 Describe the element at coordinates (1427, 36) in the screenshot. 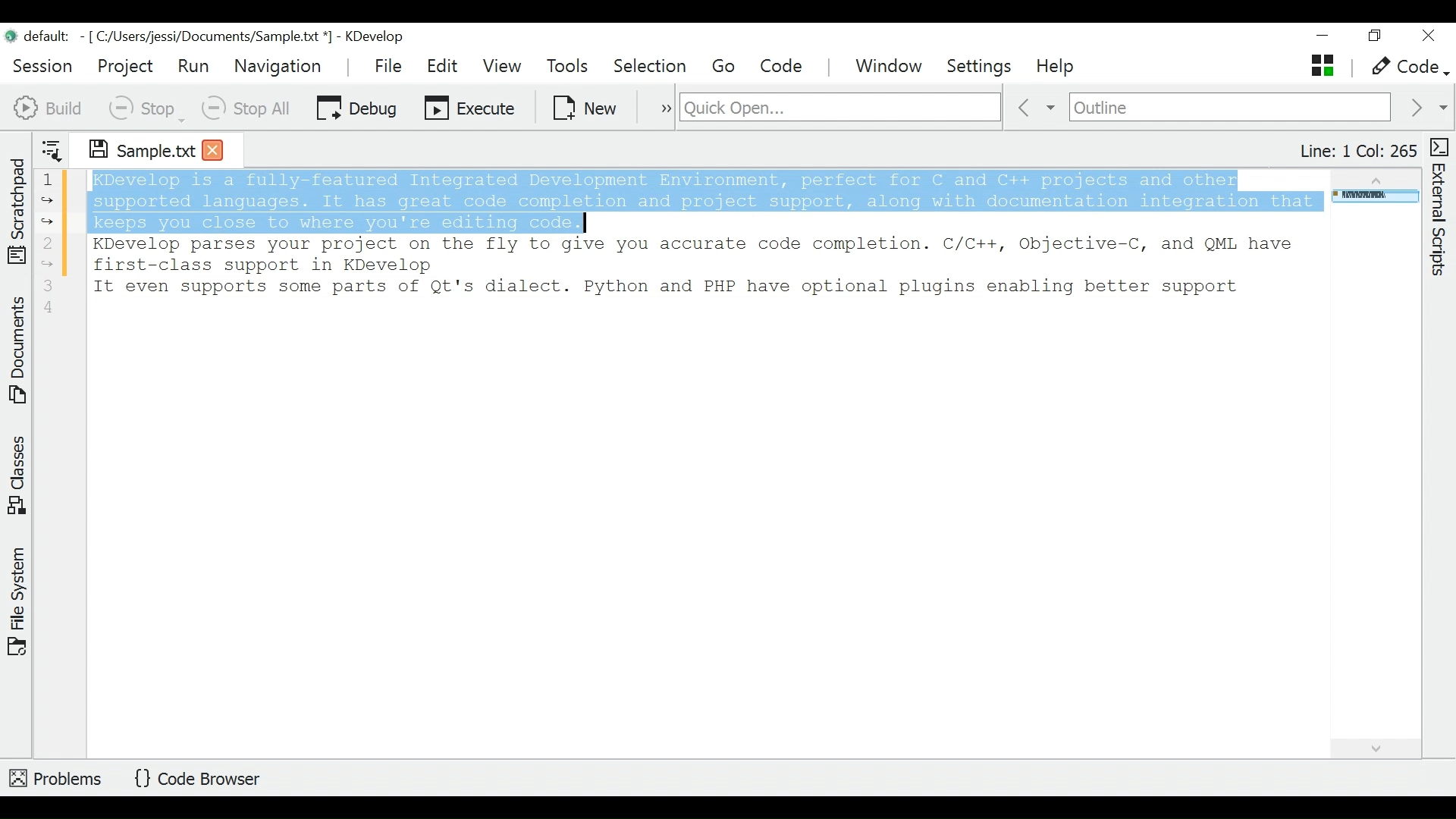

I see `Close` at that location.